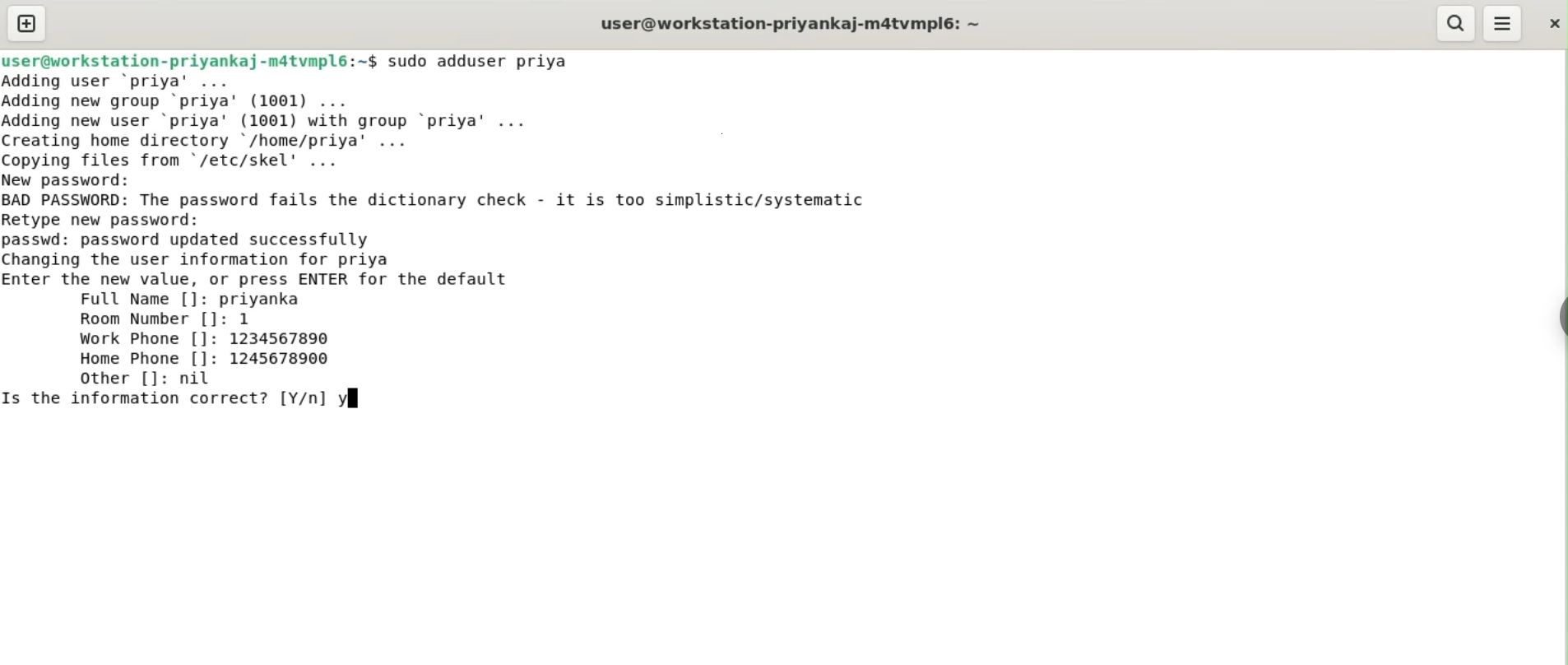 Image resolution: width=1568 pixels, height=665 pixels. Describe the element at coordinates (285, 360) in the screenshot. I see `1245678900` at that location.